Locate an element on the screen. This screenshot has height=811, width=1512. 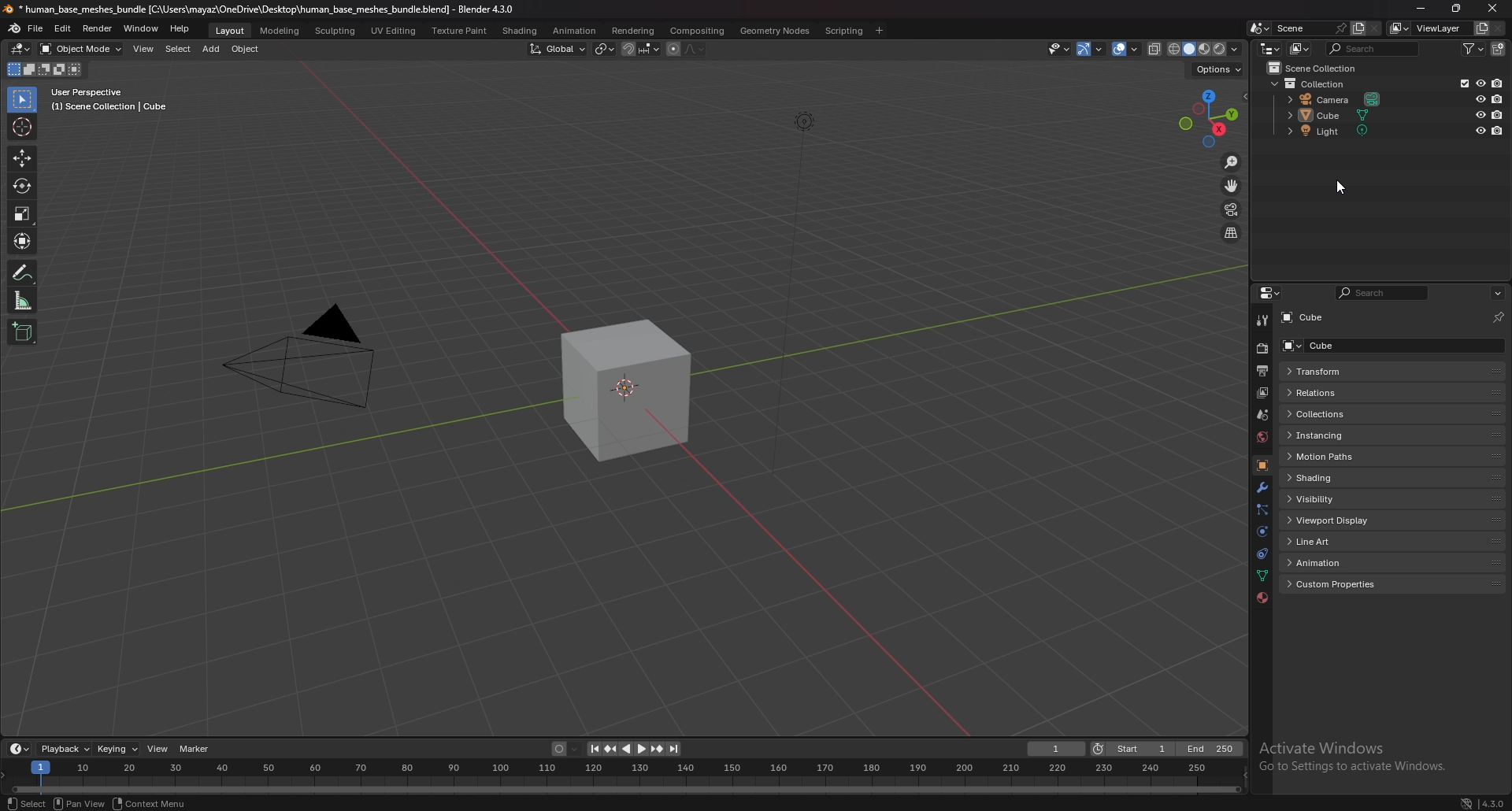
light is located at coordinates (1341, 130).